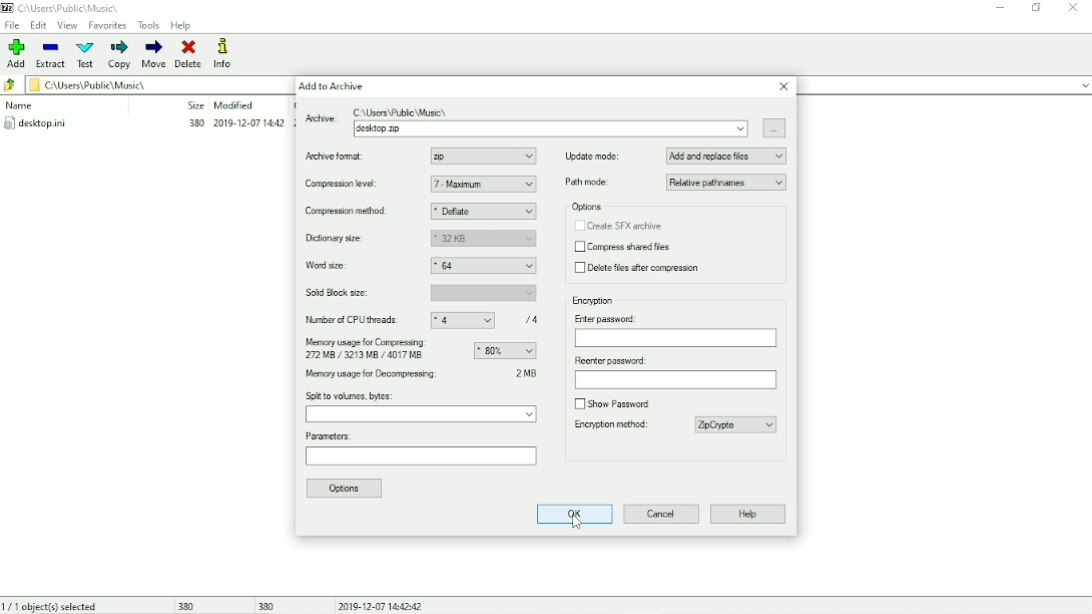 The height and width of the screenshot is (614, 1092). Describe the element at coordinates (618, 226) in the screenshot. I see `Create SFX archive` at that location.